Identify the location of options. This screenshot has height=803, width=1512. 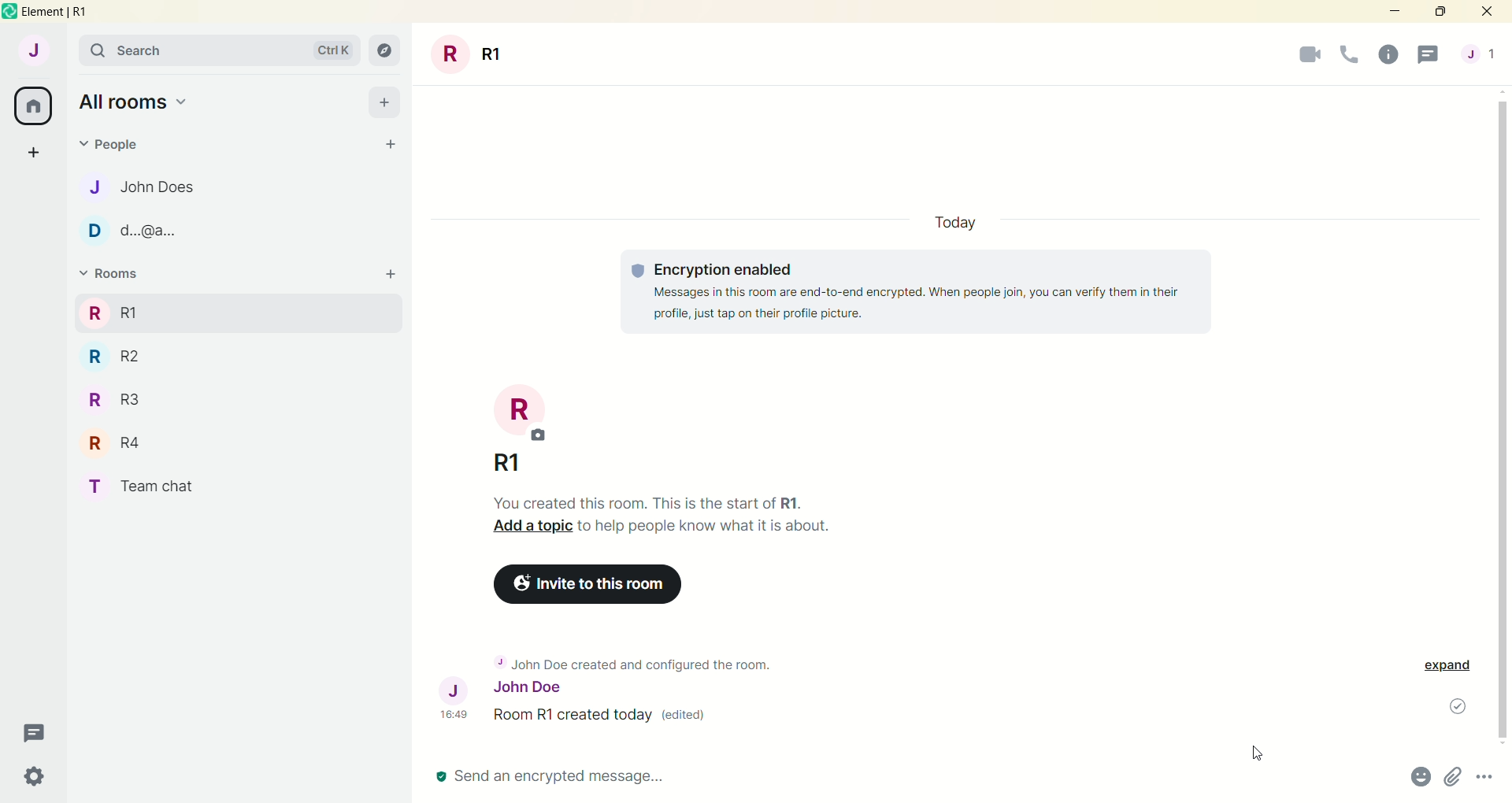
(1487, 779).